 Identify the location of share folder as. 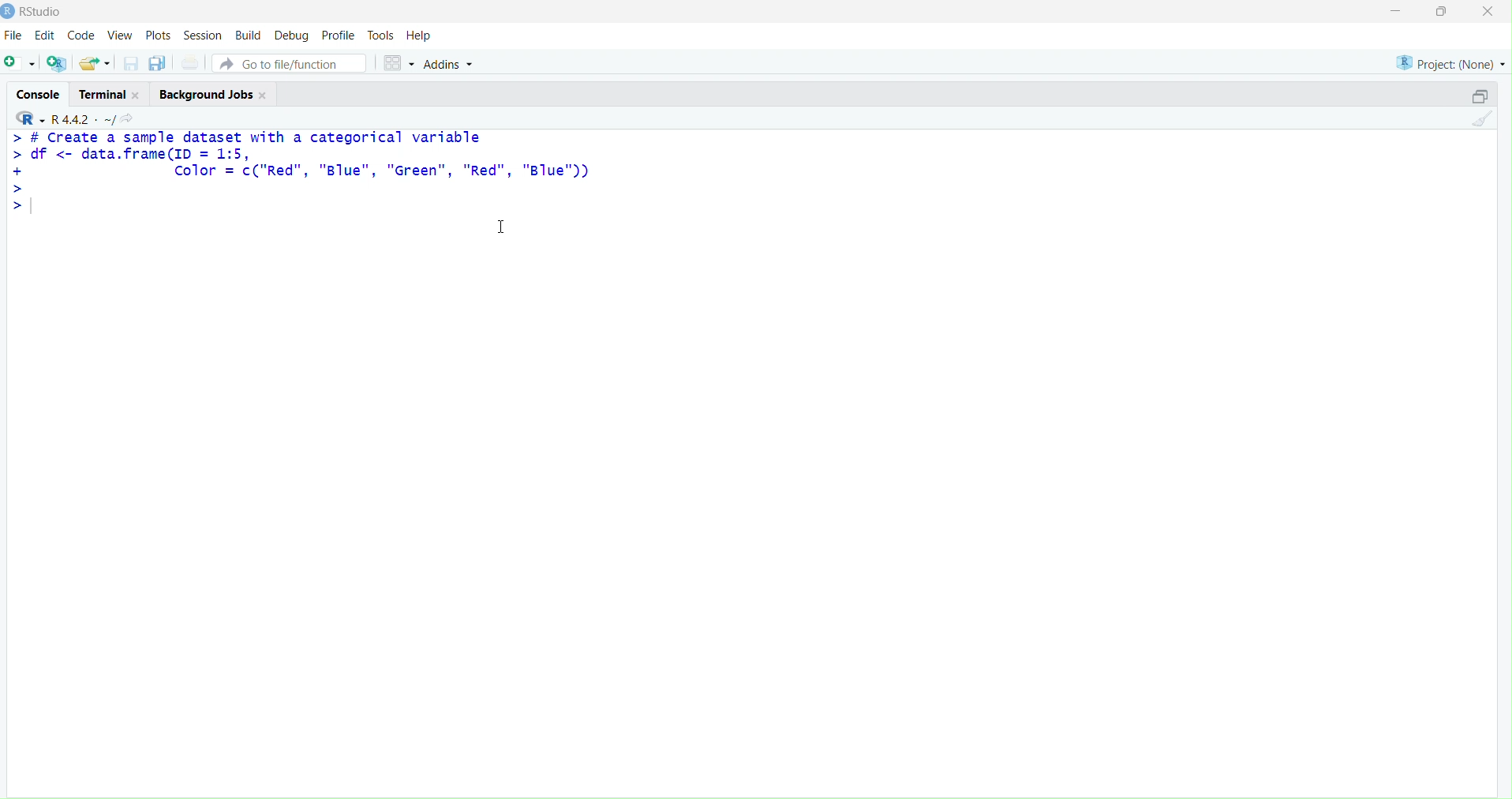
(95, 63).